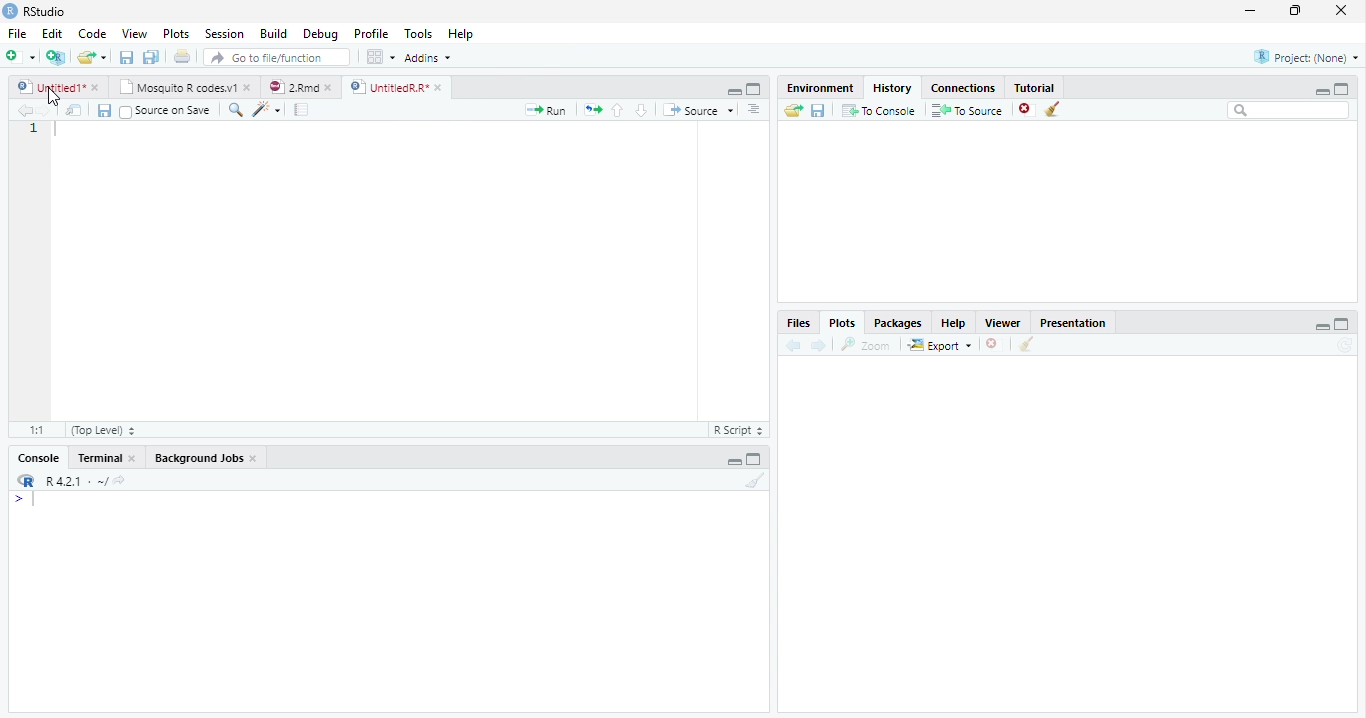 The width and height of the screenshot is (1366, 718). Describe the element at coordinates (1296, 12) in the screenshot. I see `Restore Down` at that location.